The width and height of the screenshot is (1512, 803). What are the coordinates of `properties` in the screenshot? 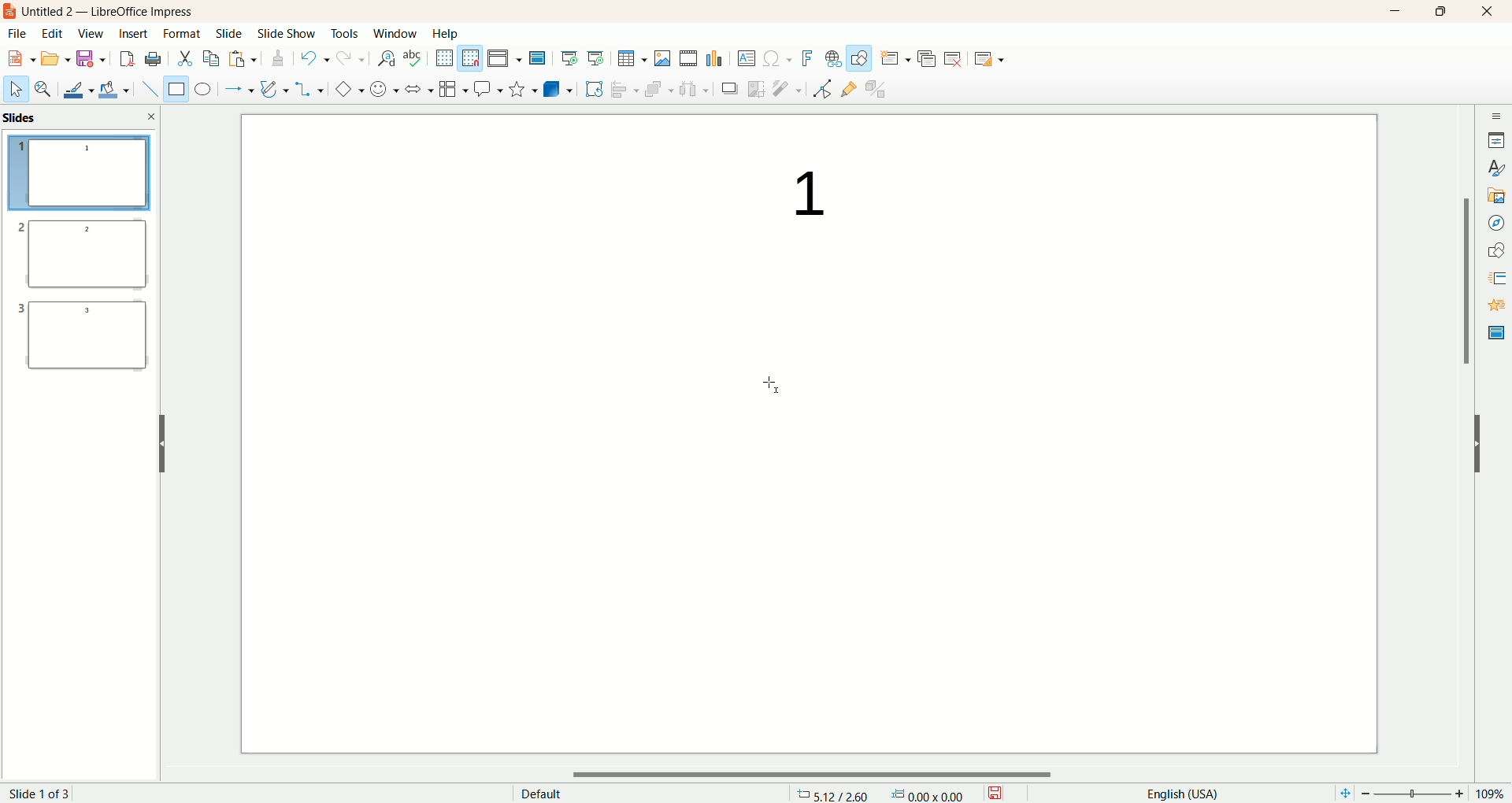 It's located at (1496, 139).